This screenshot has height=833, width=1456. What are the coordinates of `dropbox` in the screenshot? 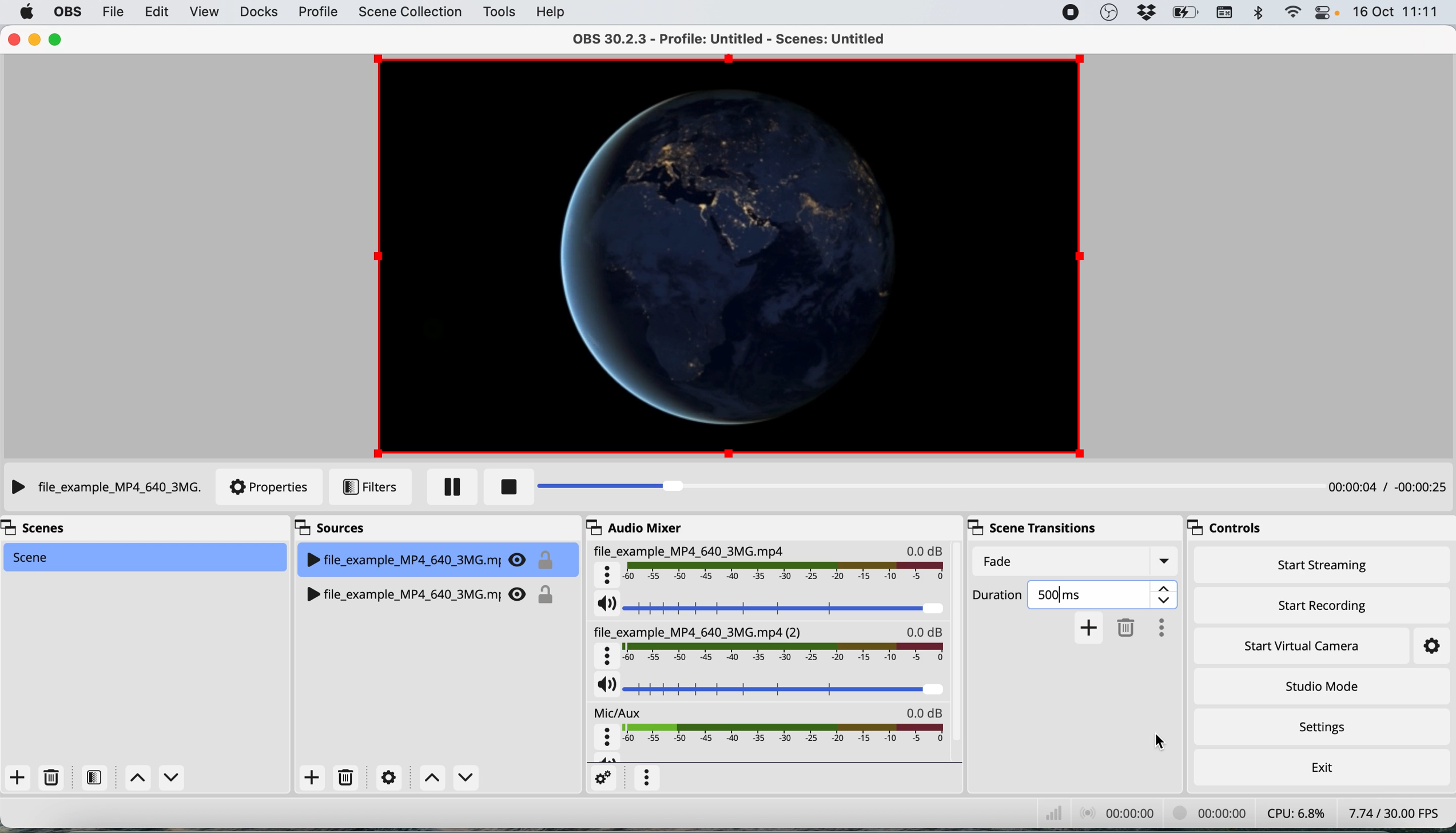 It's located at (1148, 13).